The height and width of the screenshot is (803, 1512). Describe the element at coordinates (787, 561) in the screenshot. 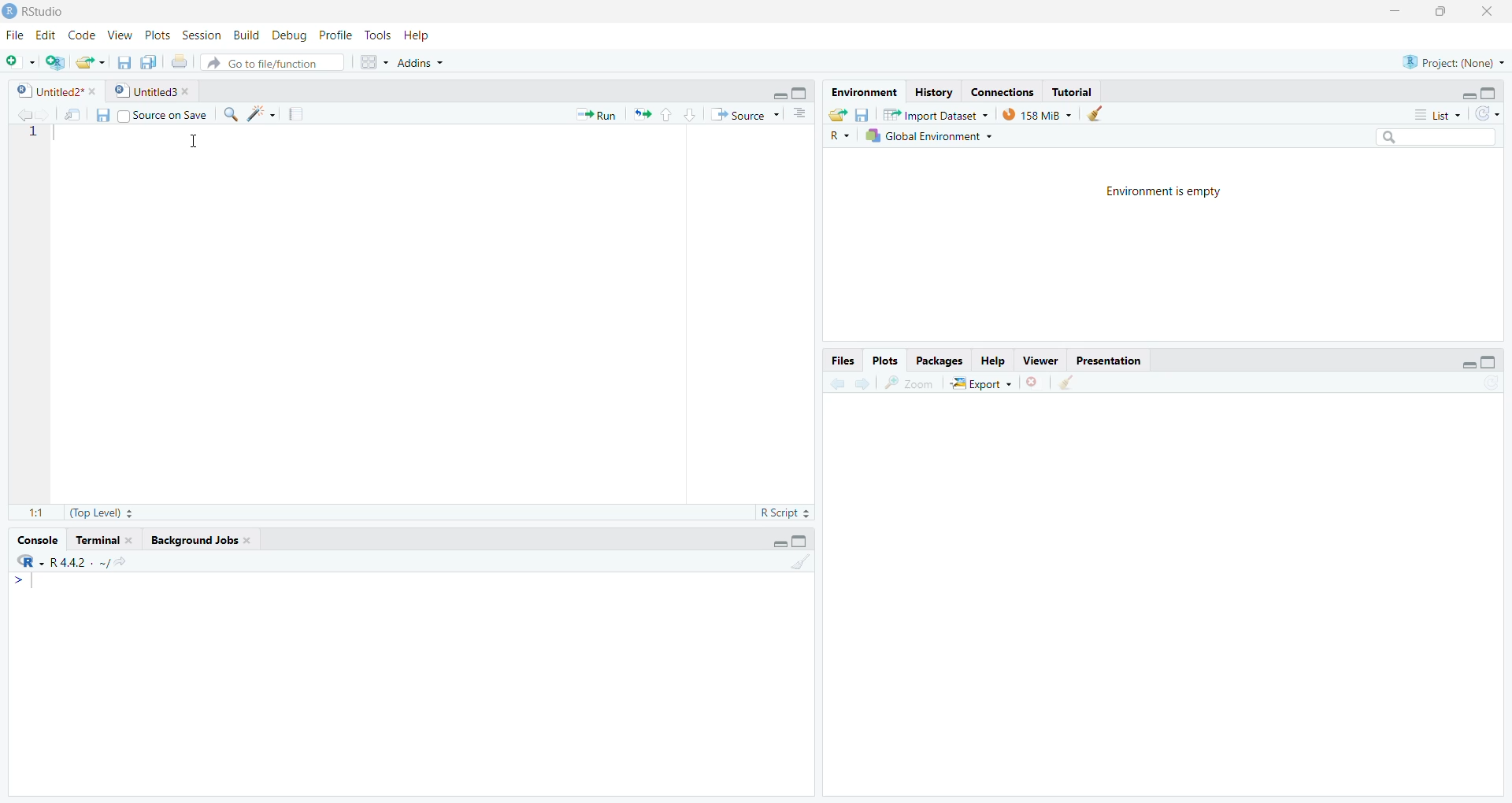

I see `1` at that location.